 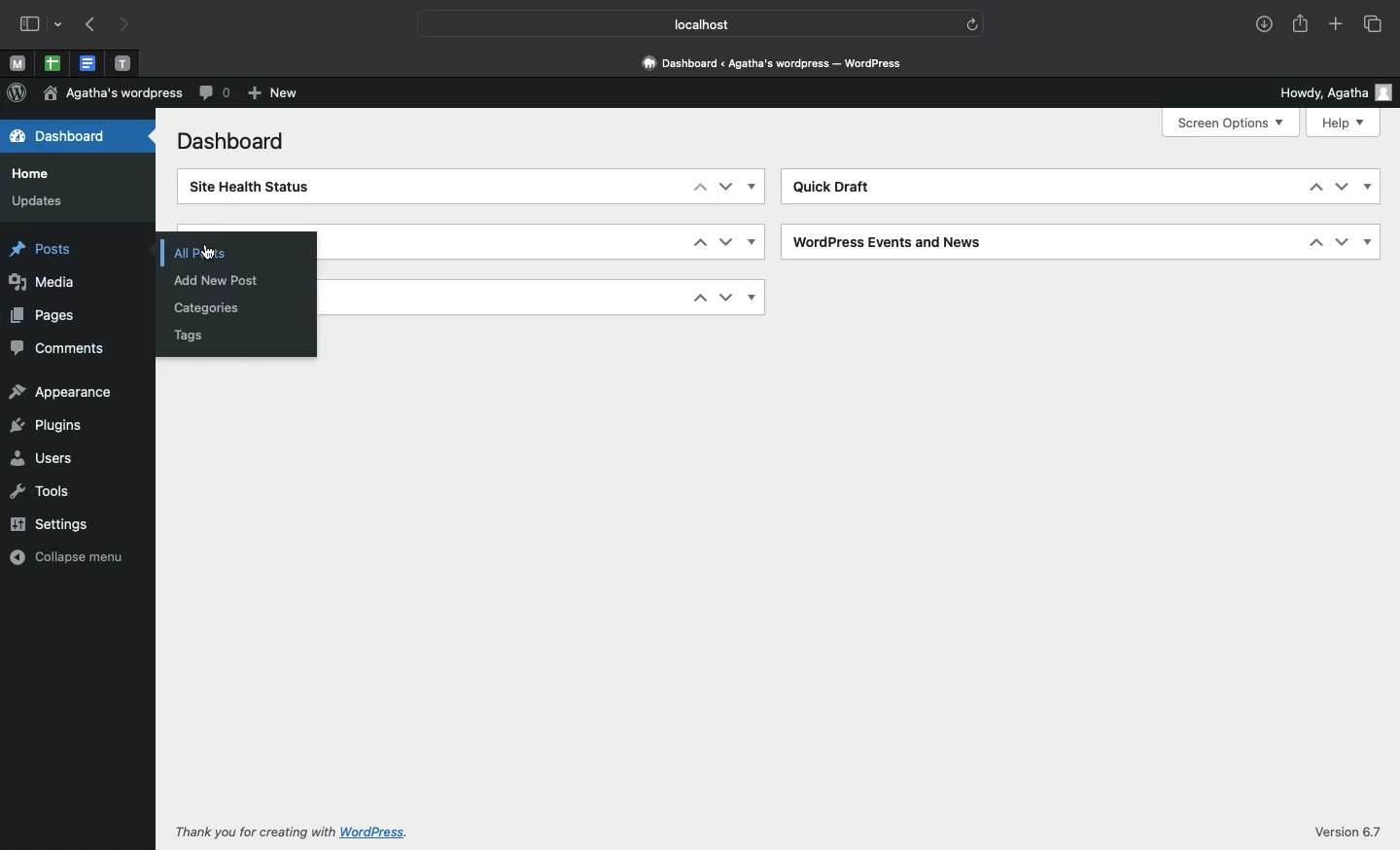 What do you see at coordinates (42, 458) in the screenshot?
I see `Users` at bounding box center [42, 458].